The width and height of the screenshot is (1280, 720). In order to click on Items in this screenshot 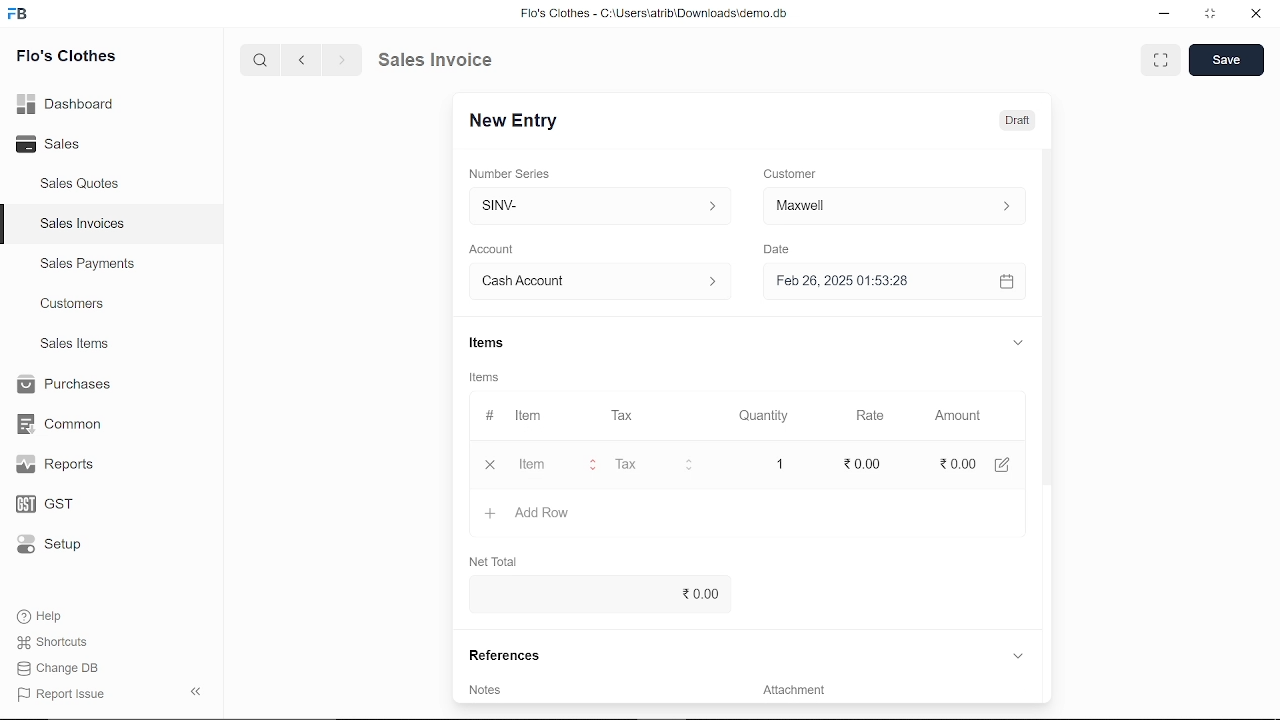, I will do `click(485, 345)`.